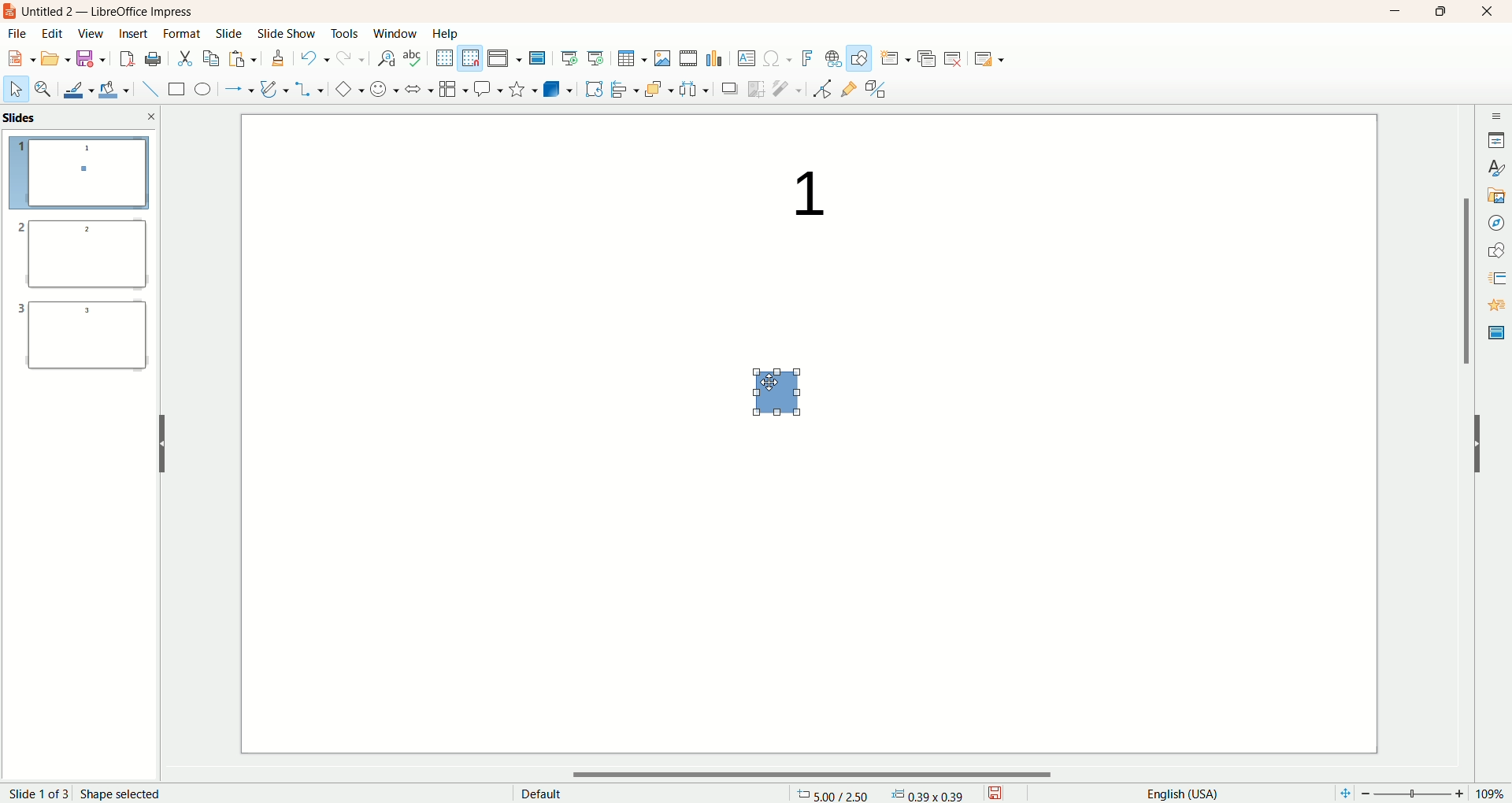 The height and width of the screenshot is (803, 1512). Describe the element at coordinates (113, 89) in the screenshot. I see `fill color` at that location.